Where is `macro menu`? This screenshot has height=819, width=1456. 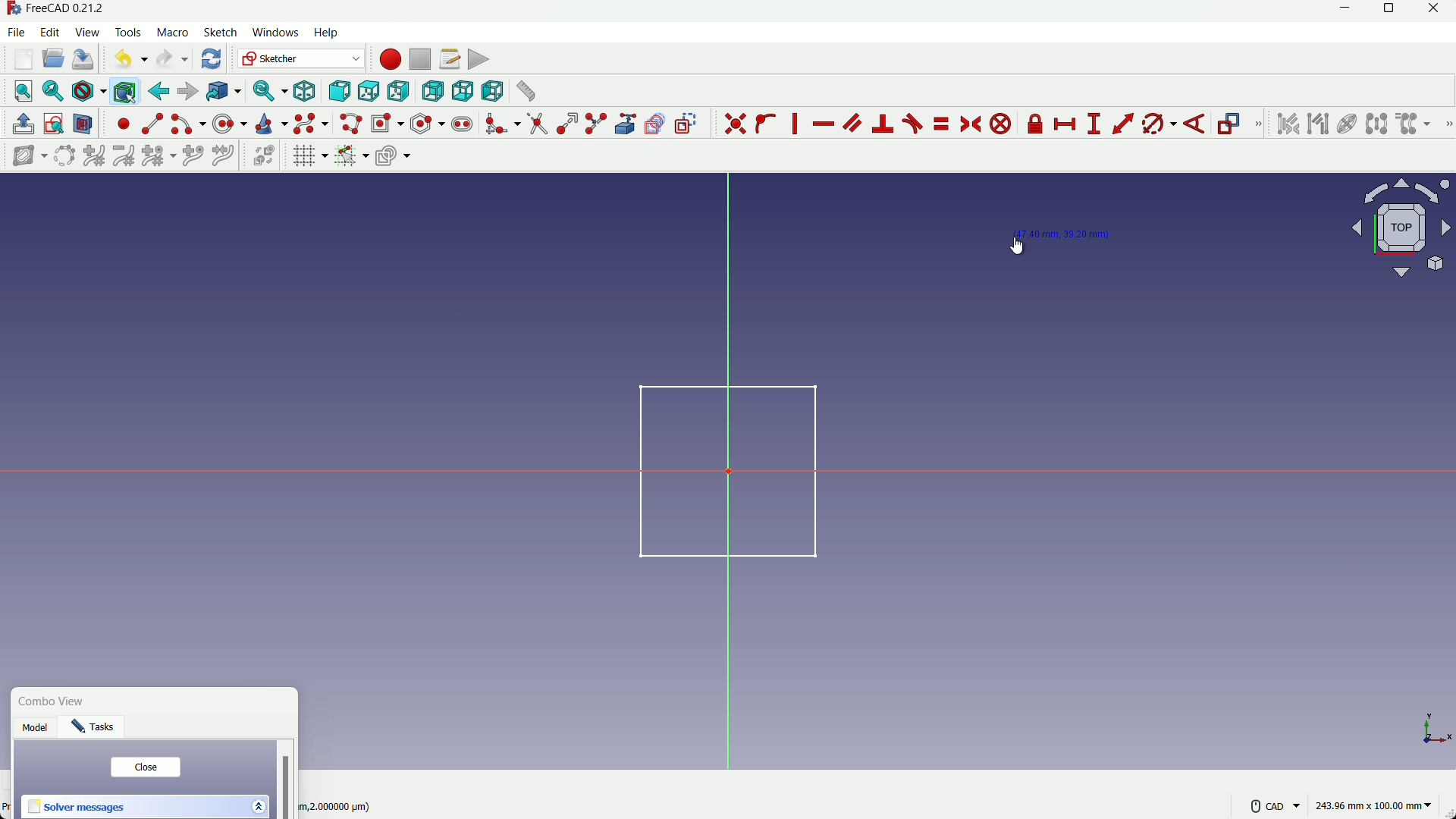 macro menu is located at coordinates (170, 33).